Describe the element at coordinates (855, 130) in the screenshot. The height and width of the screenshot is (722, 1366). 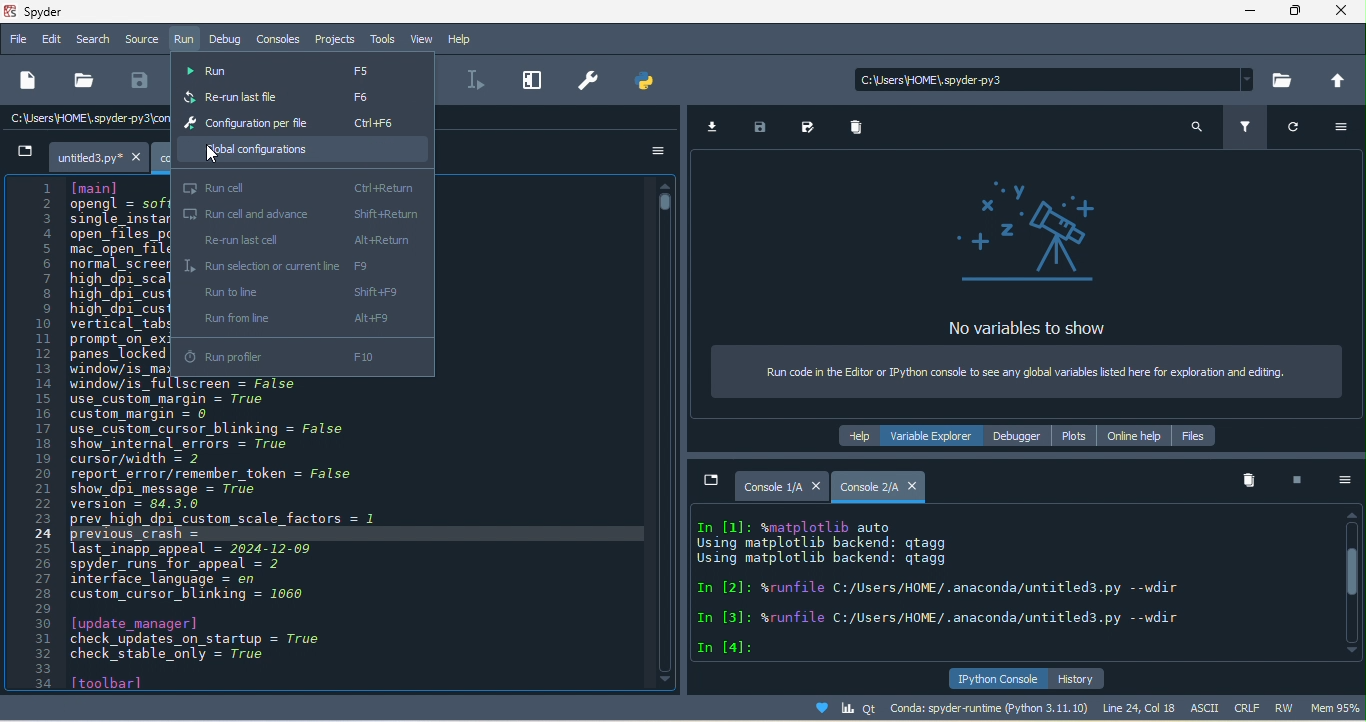
I see `remove all` at that location.